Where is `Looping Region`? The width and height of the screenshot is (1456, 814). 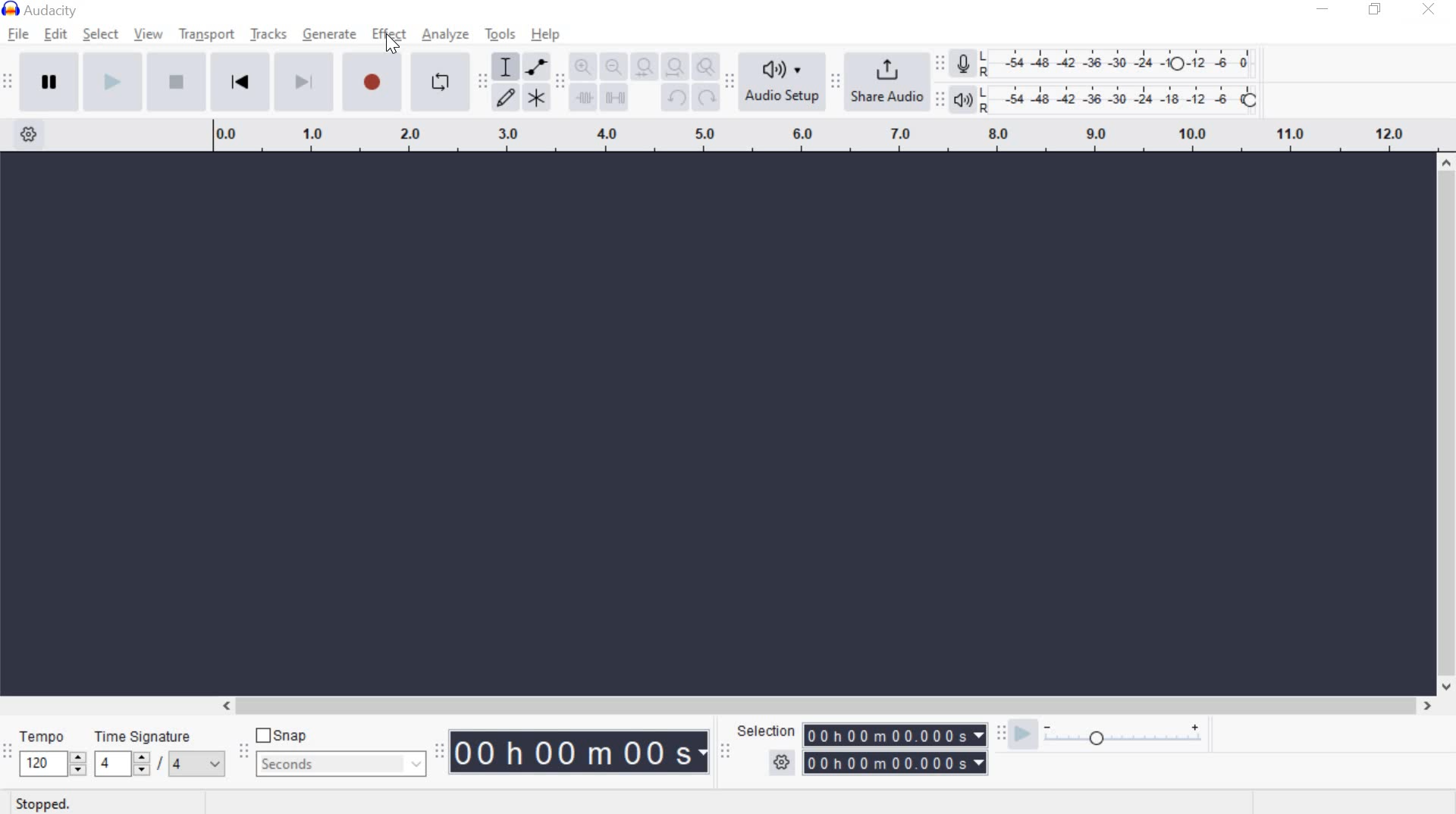
Looping Region is located at coordinates (827, 135).